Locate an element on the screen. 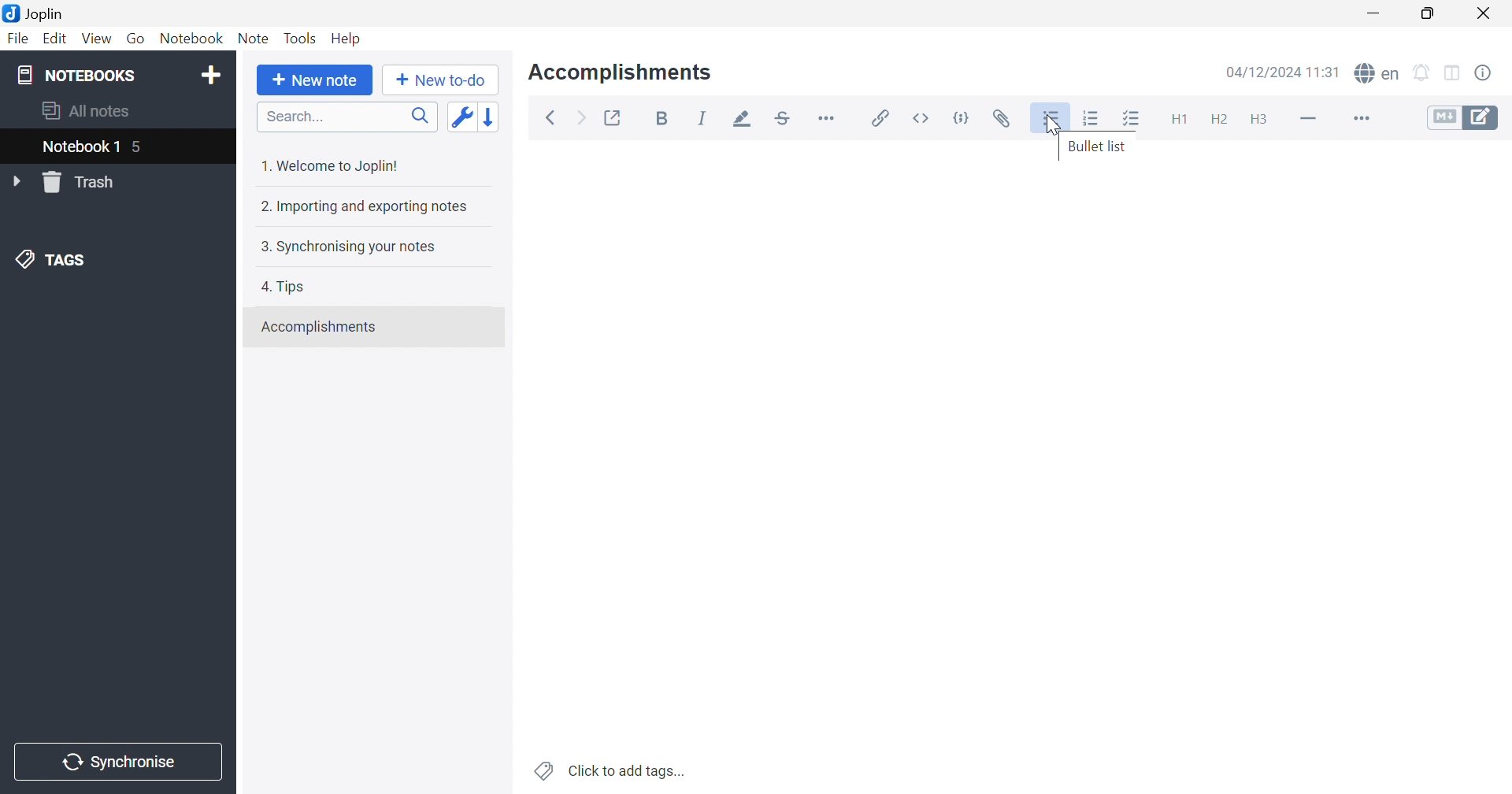 This screenshot has width=1512, height=794. Edit is located at coordinates (57, 40).